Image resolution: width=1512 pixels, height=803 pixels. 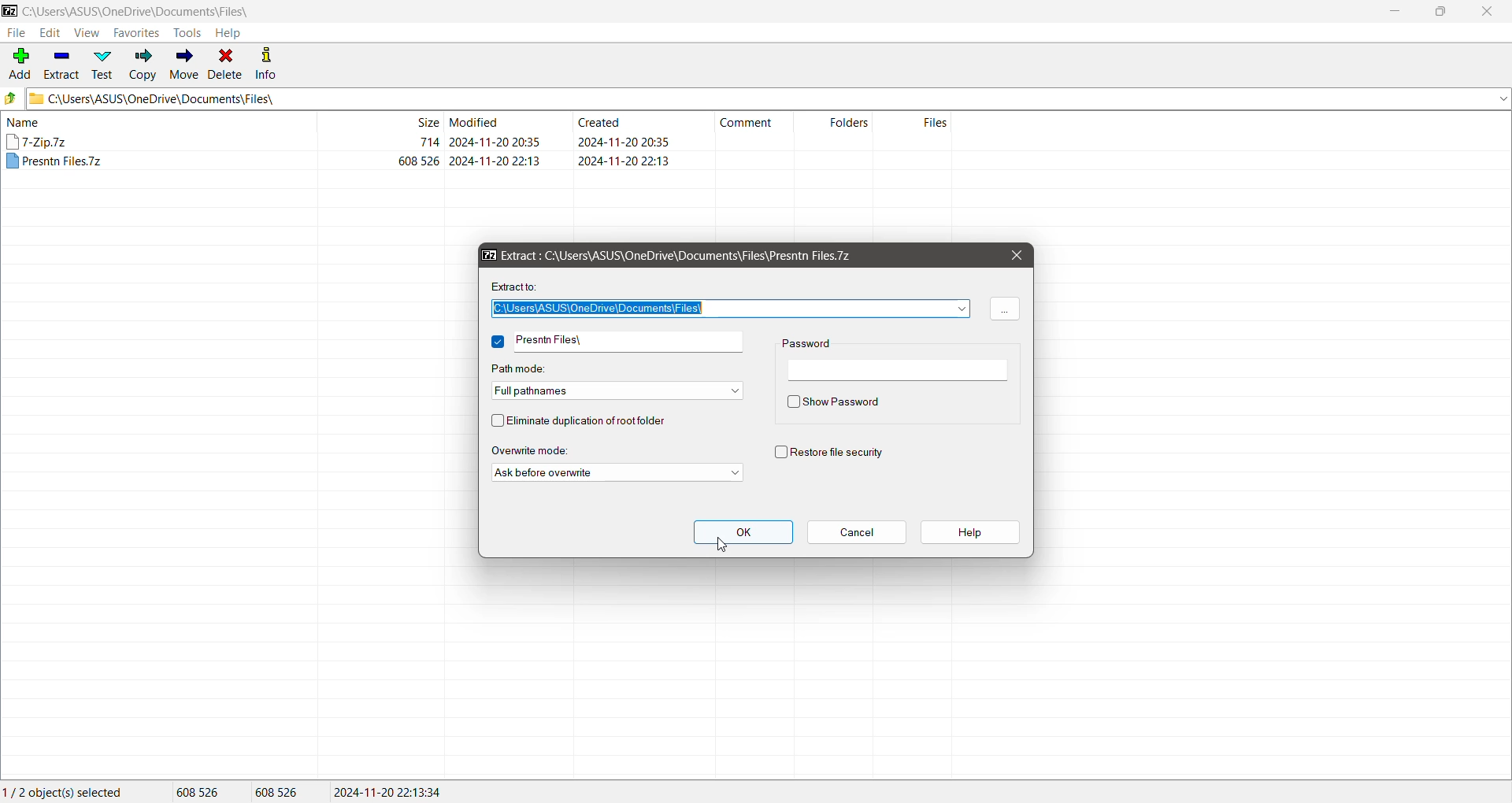 What do you see at coordinates (970, 533) in the screenshot?
I see `Help` at bounding box center [970, 533].